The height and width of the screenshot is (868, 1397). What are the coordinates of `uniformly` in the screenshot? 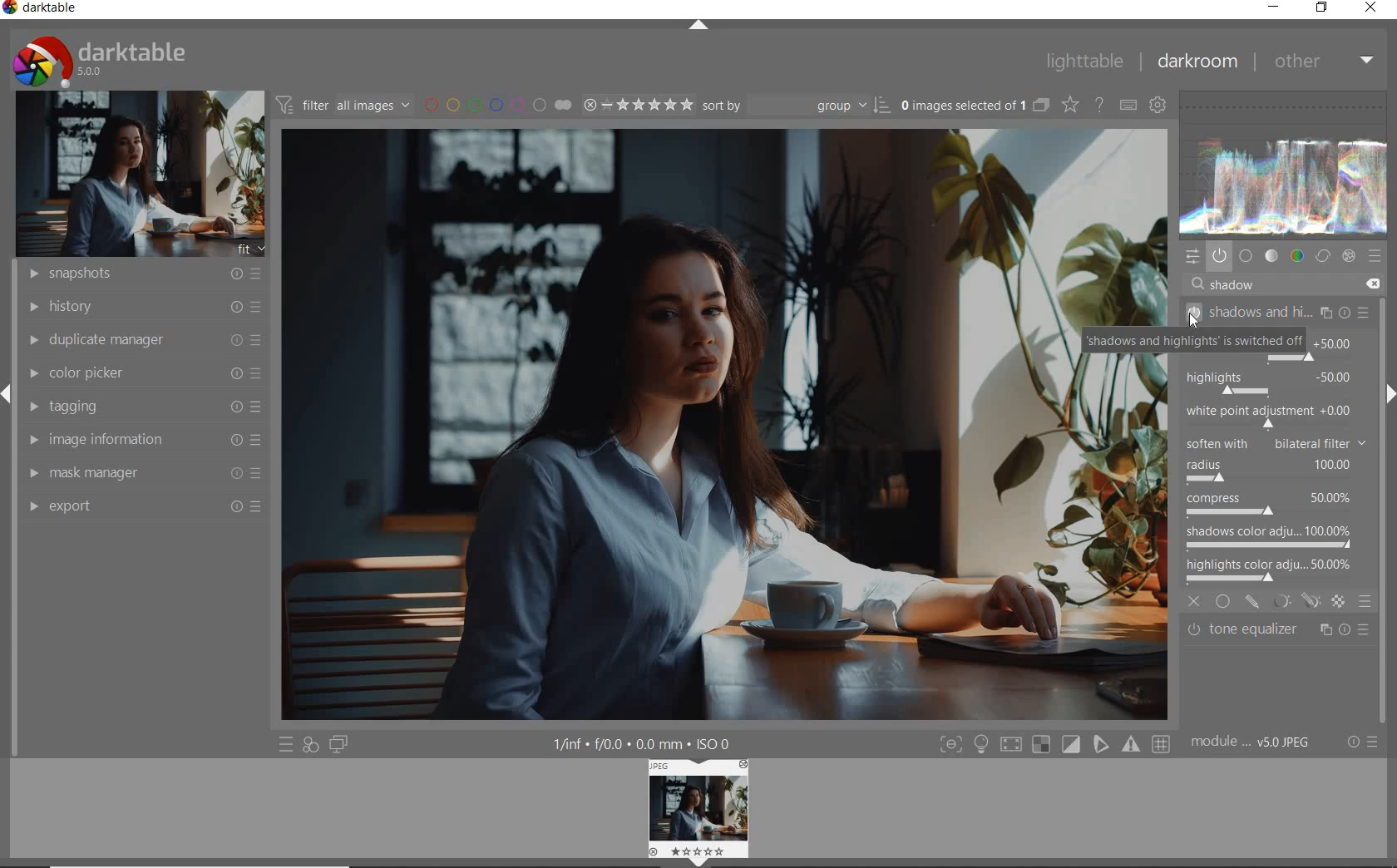 It's located at (1224, 601).